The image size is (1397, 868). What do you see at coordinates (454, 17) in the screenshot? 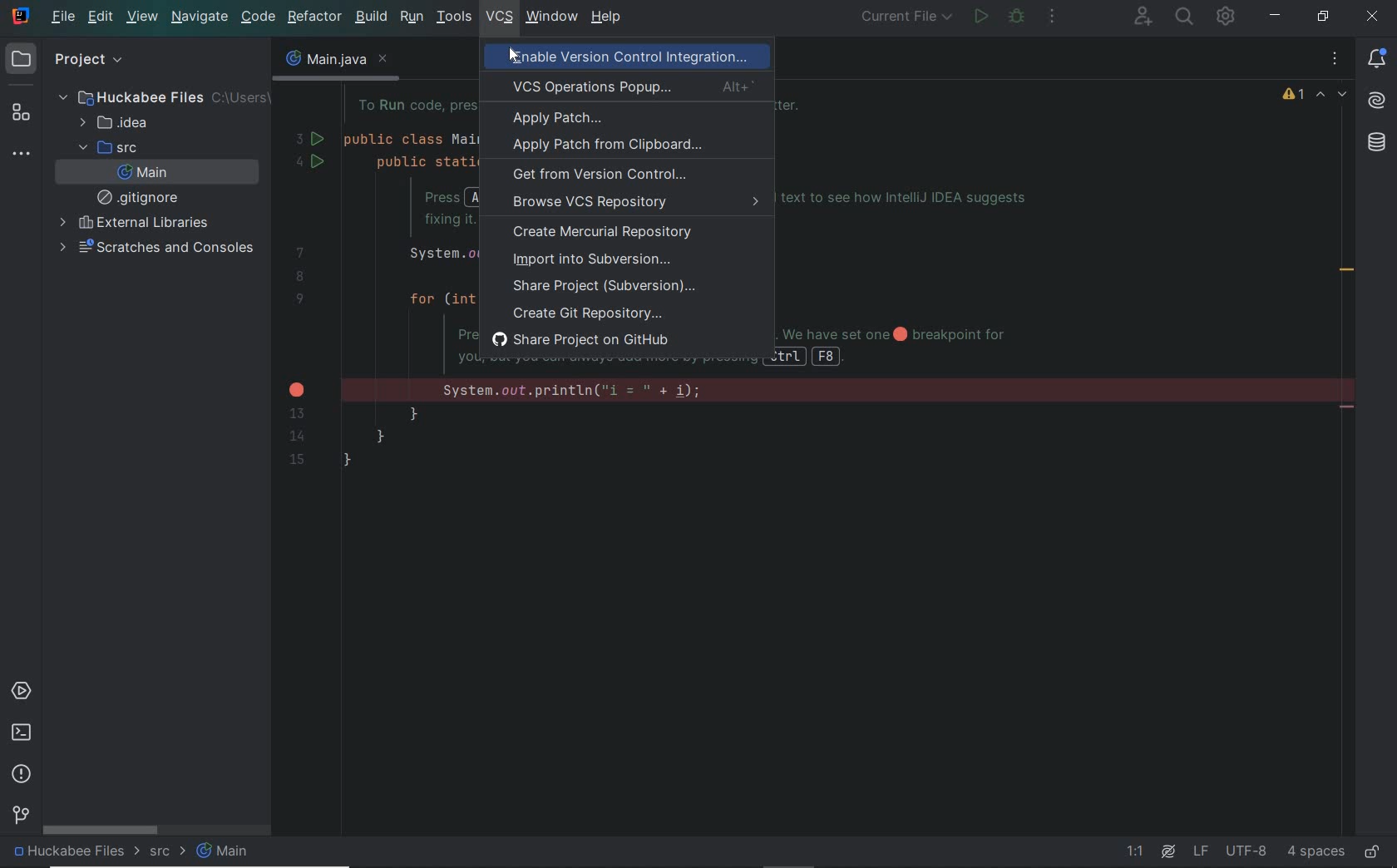
I see `tools` at bounding box center [454, 17].